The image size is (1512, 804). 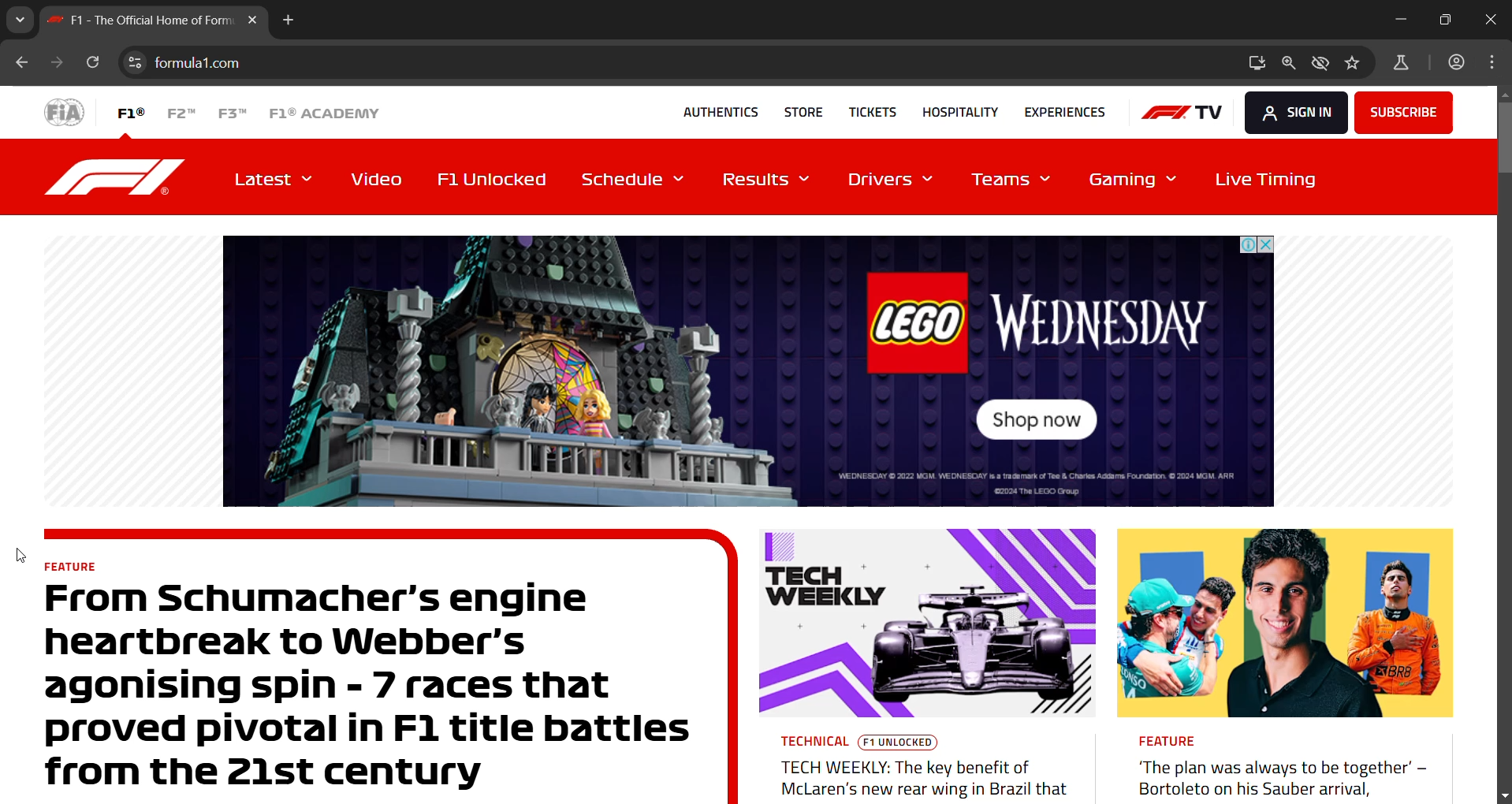 What do you see at coordinates (156, 24) in the screenshot?
I see `f1 the official home of form ` at bounding box center [156, 24].